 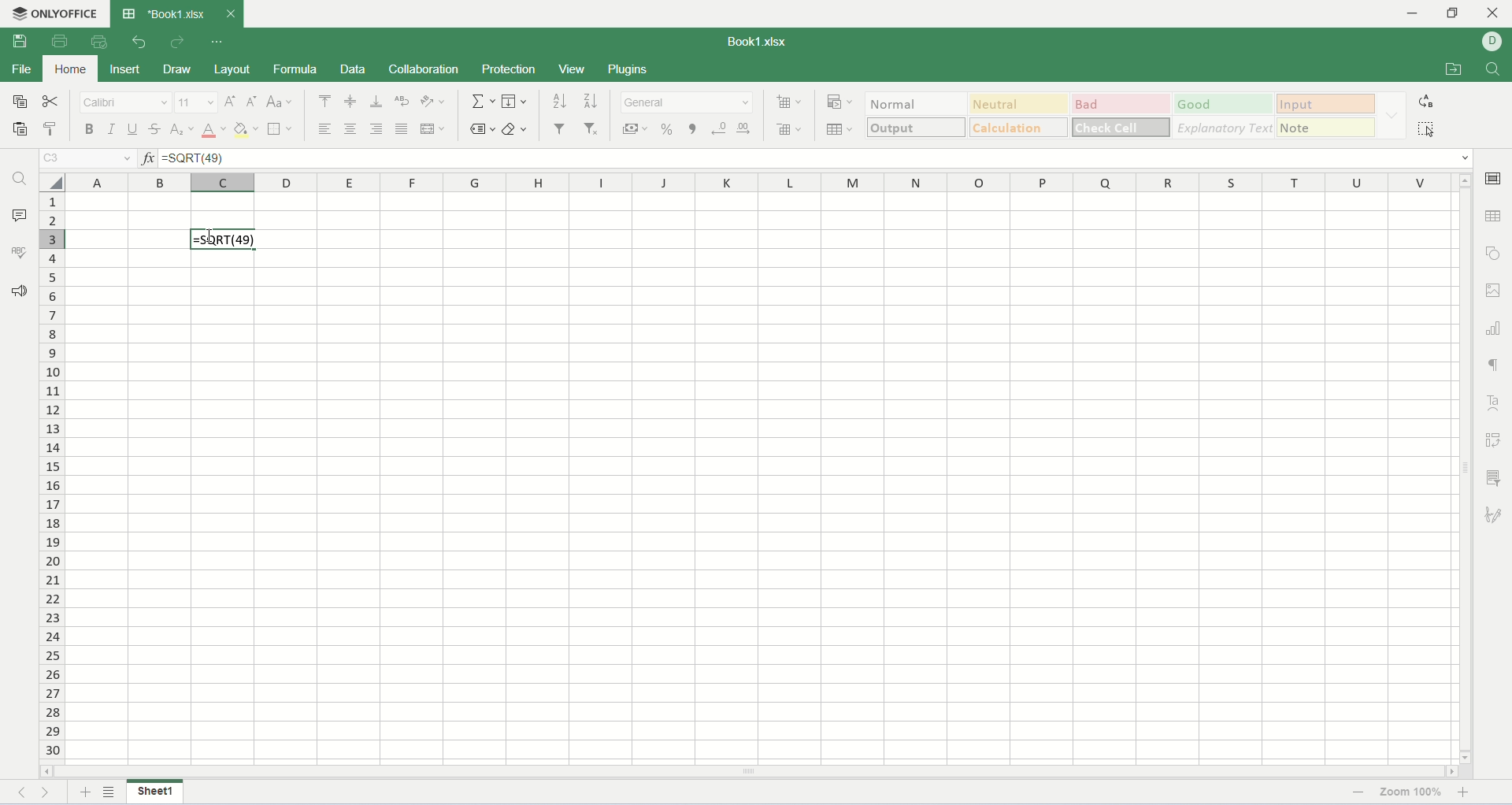 What do you see at coordinates (483, 101) in the screenshot?
I see `summation` at bounding box center [483, 101].